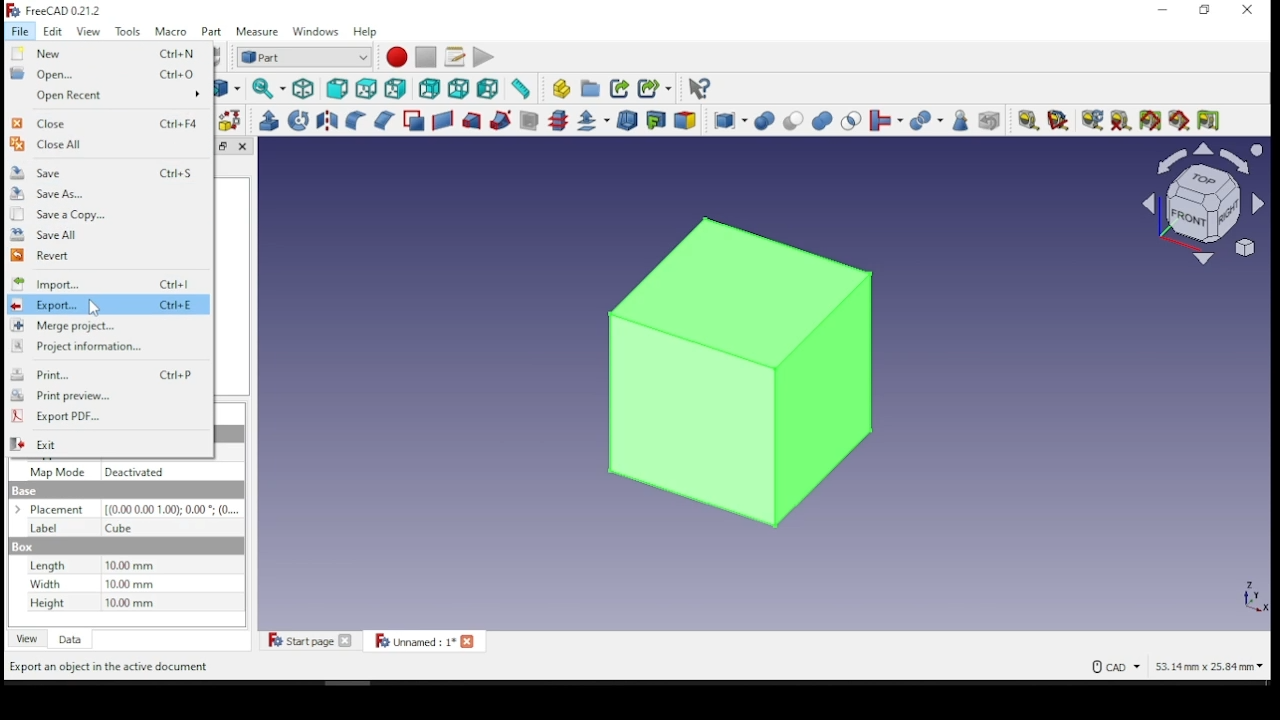  I want to click on save, so click(106, 172).